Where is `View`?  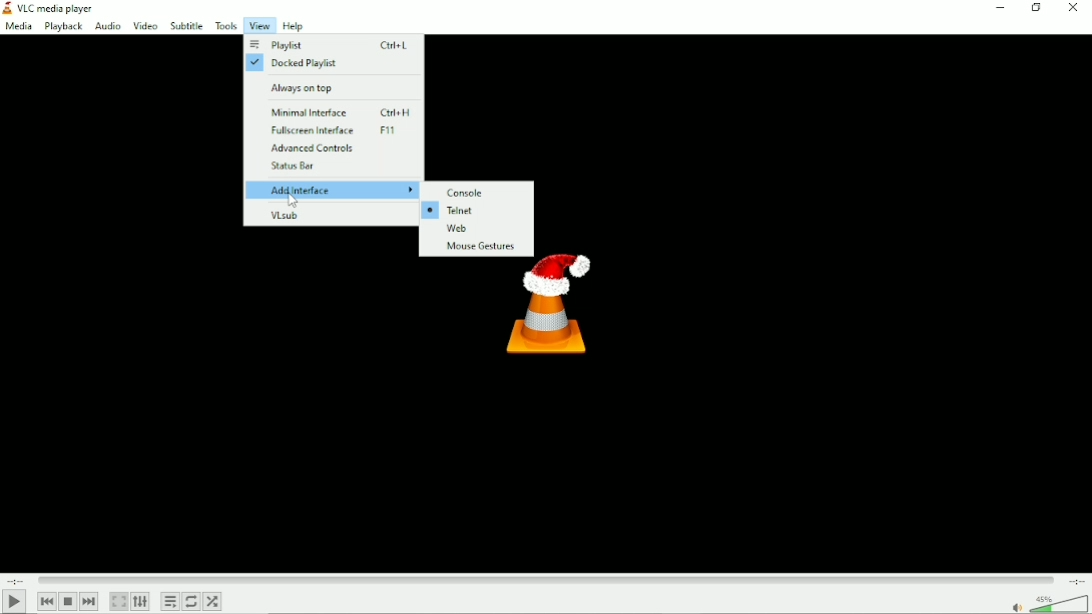
View is located at coordinates (258, 27).